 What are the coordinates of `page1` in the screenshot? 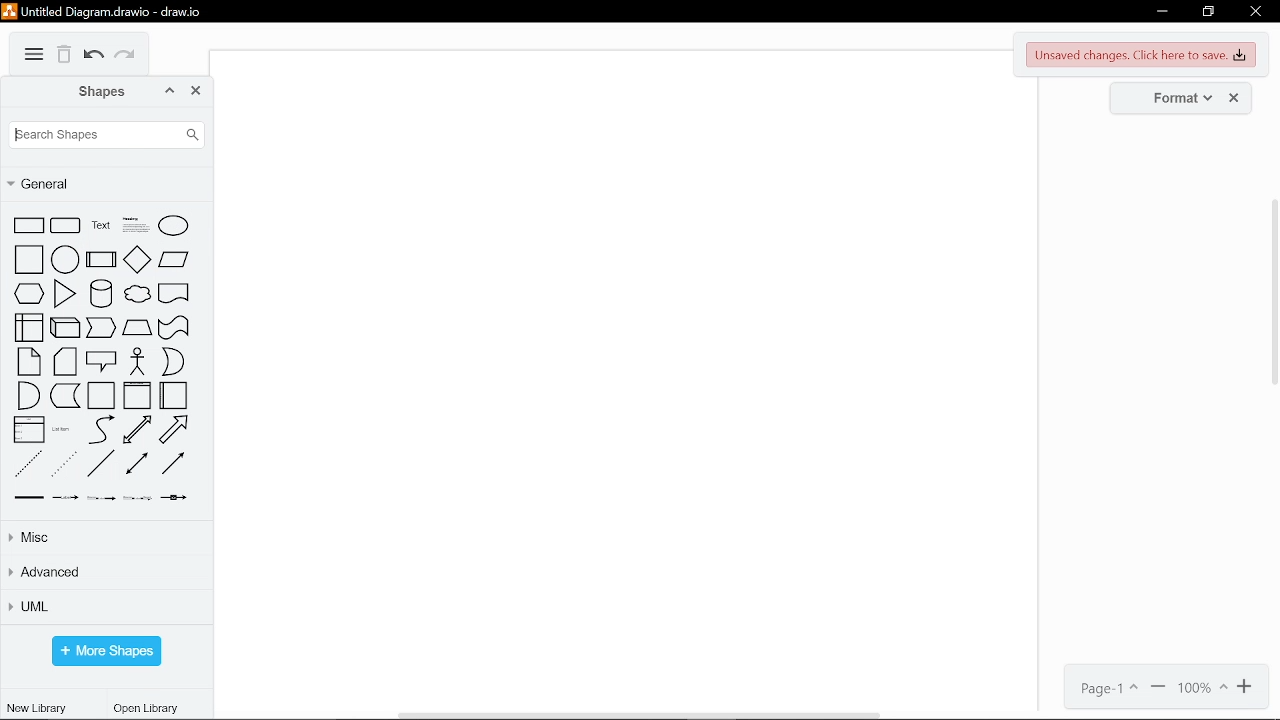 It's located at (1103, 688).